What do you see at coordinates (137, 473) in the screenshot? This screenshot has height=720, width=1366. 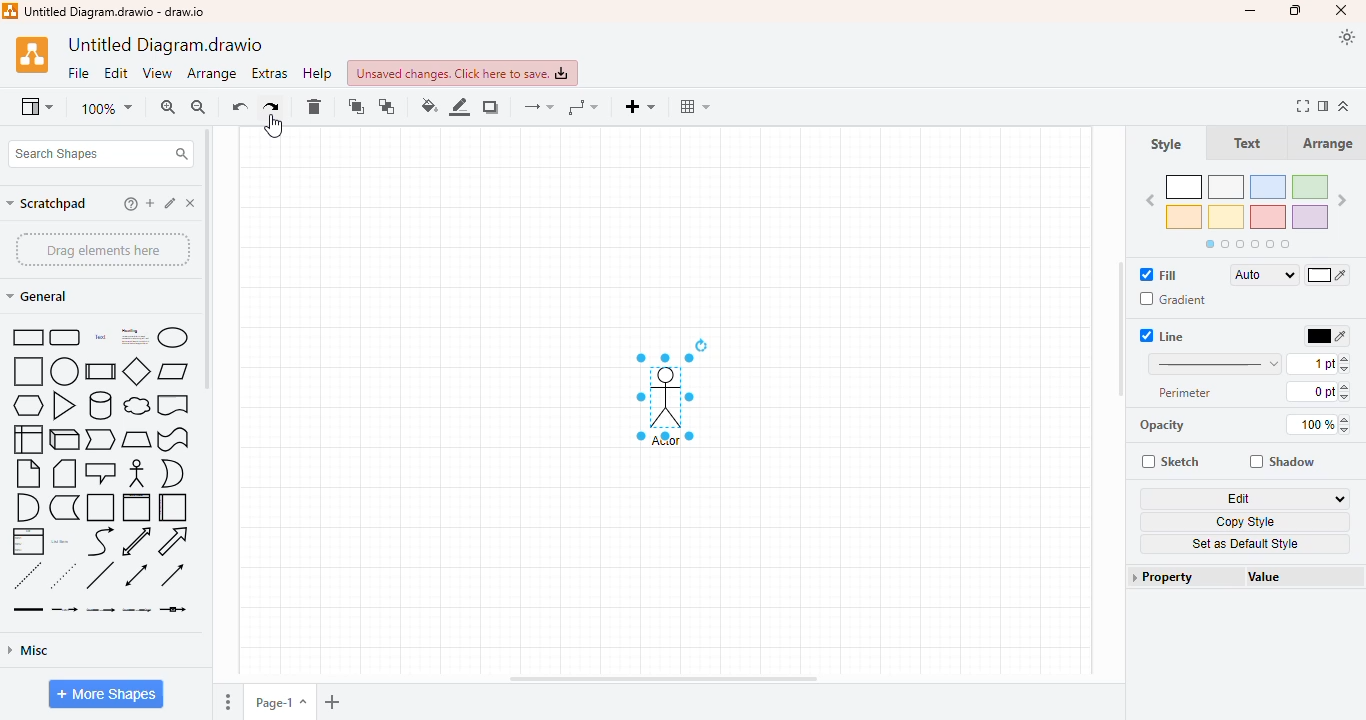 I see `actor` at bounding box center [137, 473].